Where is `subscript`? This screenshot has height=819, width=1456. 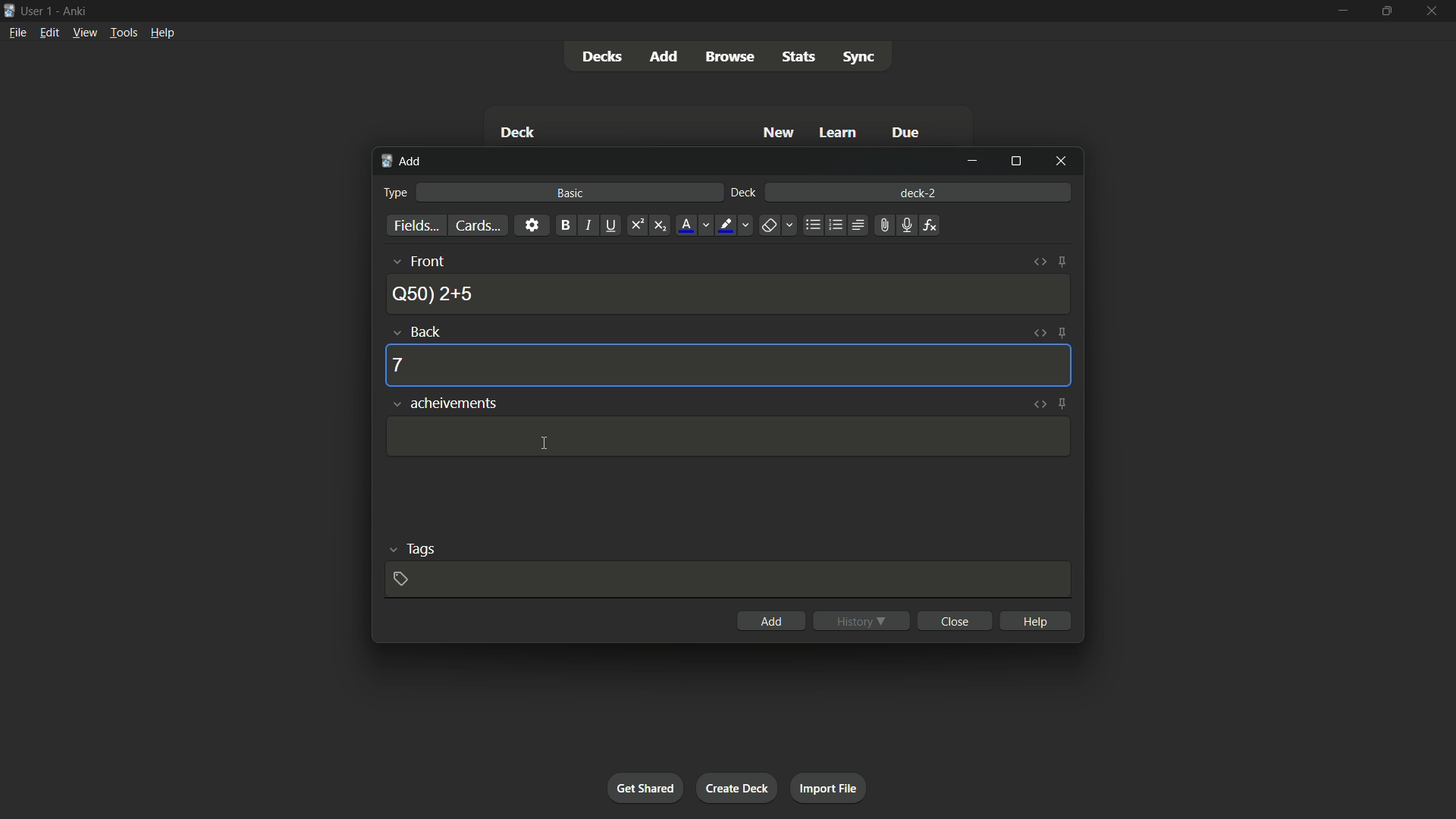 subscript is located at coordinates (661, 225).